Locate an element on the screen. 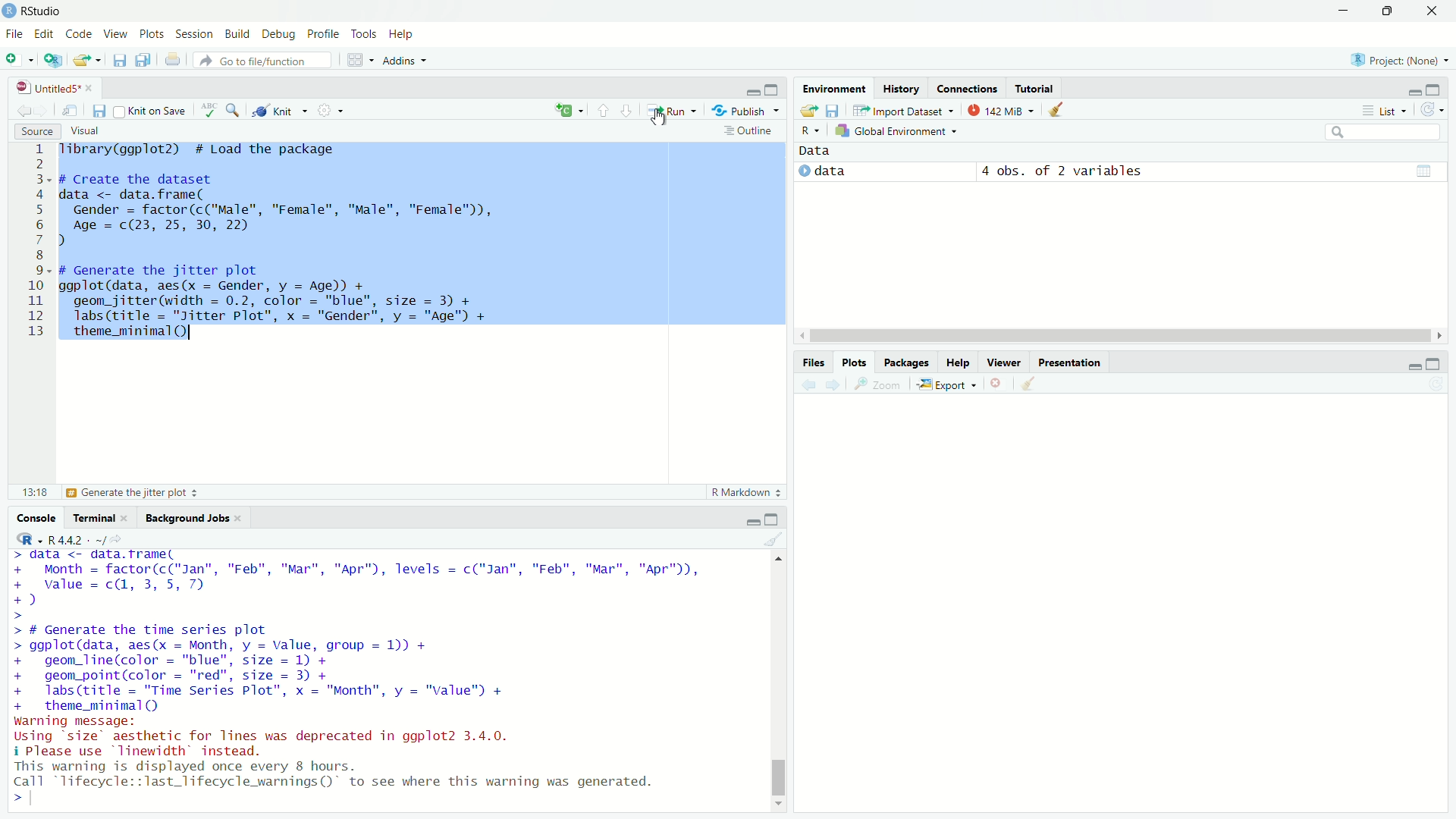  terminal is located at coordinates (91, 516).